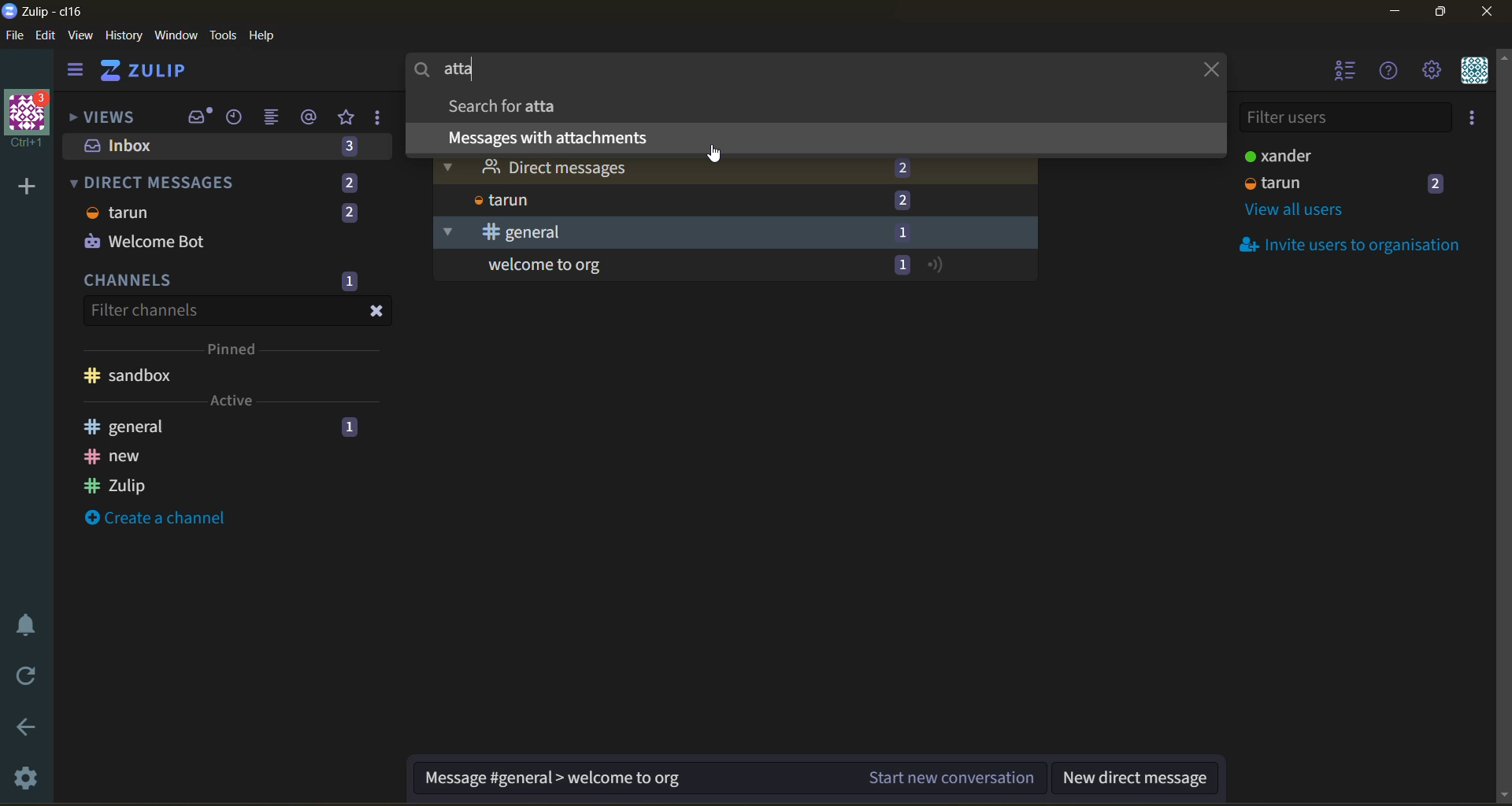  Describe the element at coordinates (1275, 155) in the screenshot. I see `xander` at that location.